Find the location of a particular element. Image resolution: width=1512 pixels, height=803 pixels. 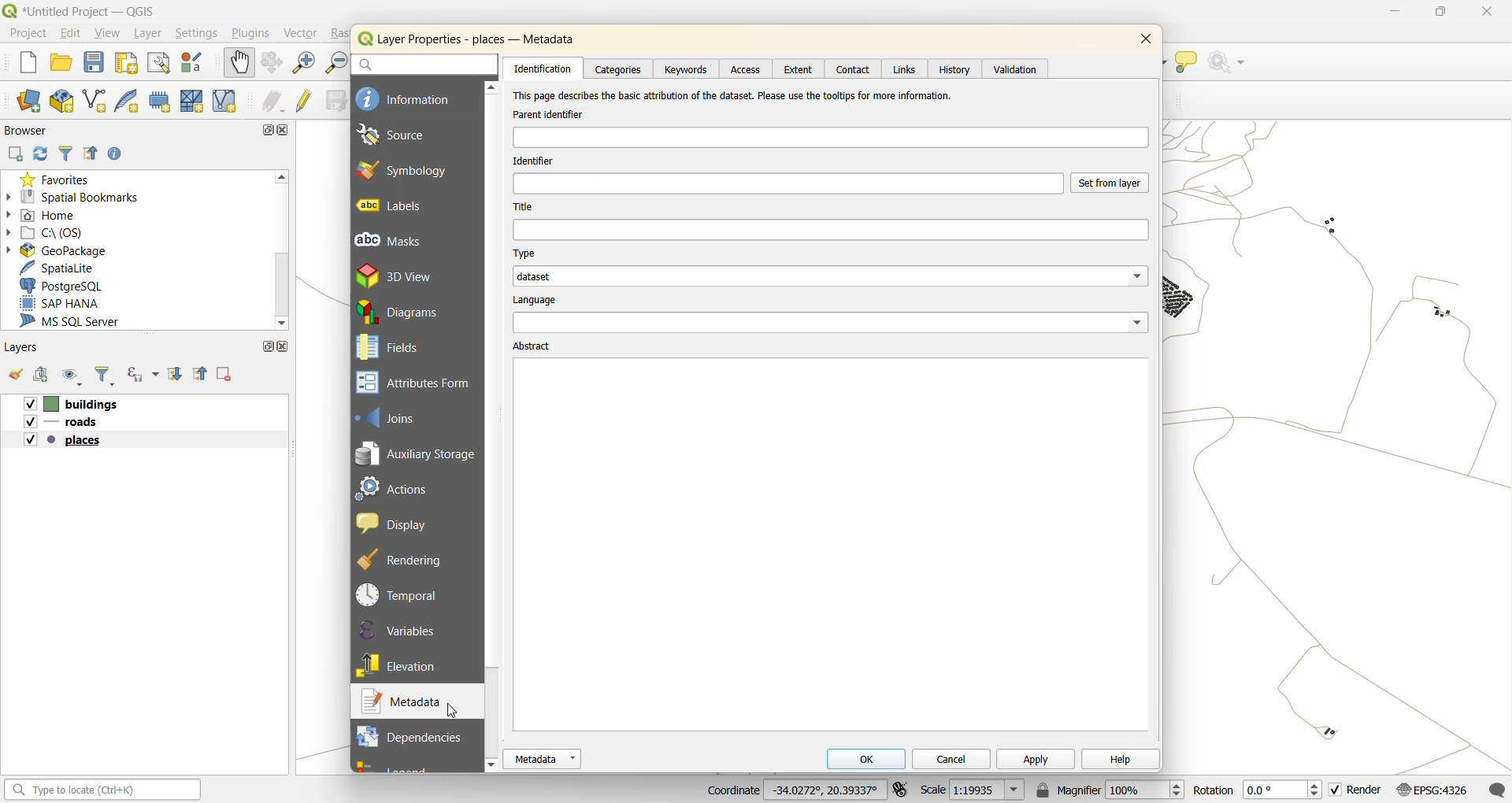

layer is located at coordinates (152, 35).